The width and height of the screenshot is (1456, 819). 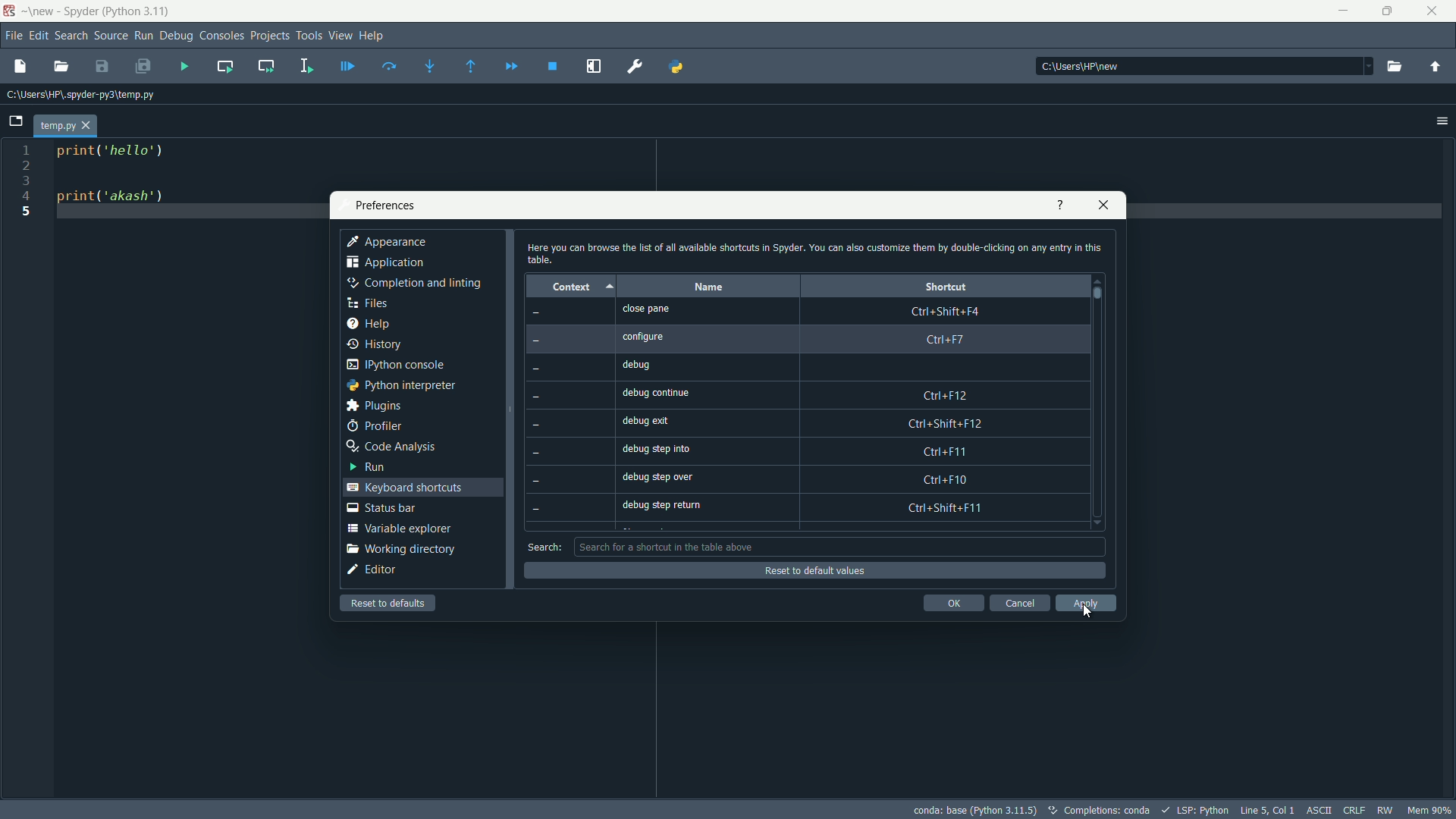 What do you see at coordinates (183, 66) in the screenshot?
I see `run file` at bounding box center [183, 66].